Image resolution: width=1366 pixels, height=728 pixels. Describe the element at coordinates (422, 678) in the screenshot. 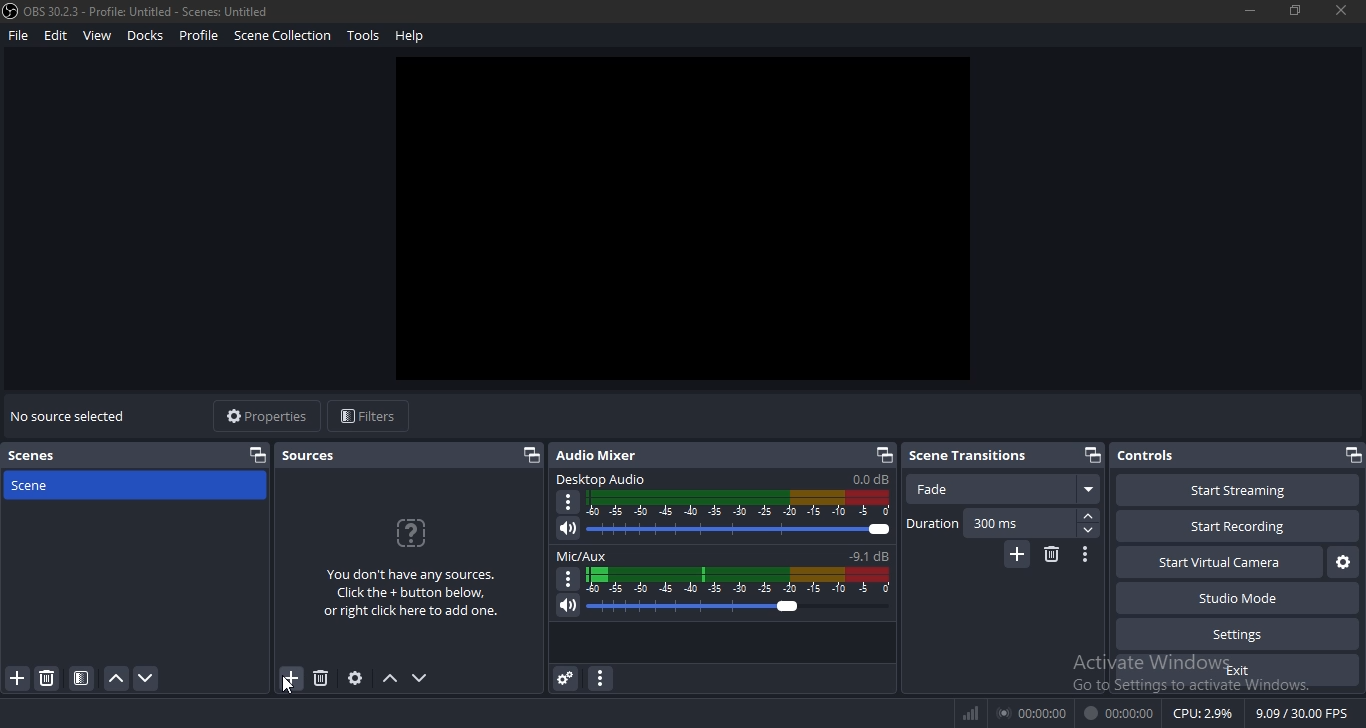

I see `move down` at that location.